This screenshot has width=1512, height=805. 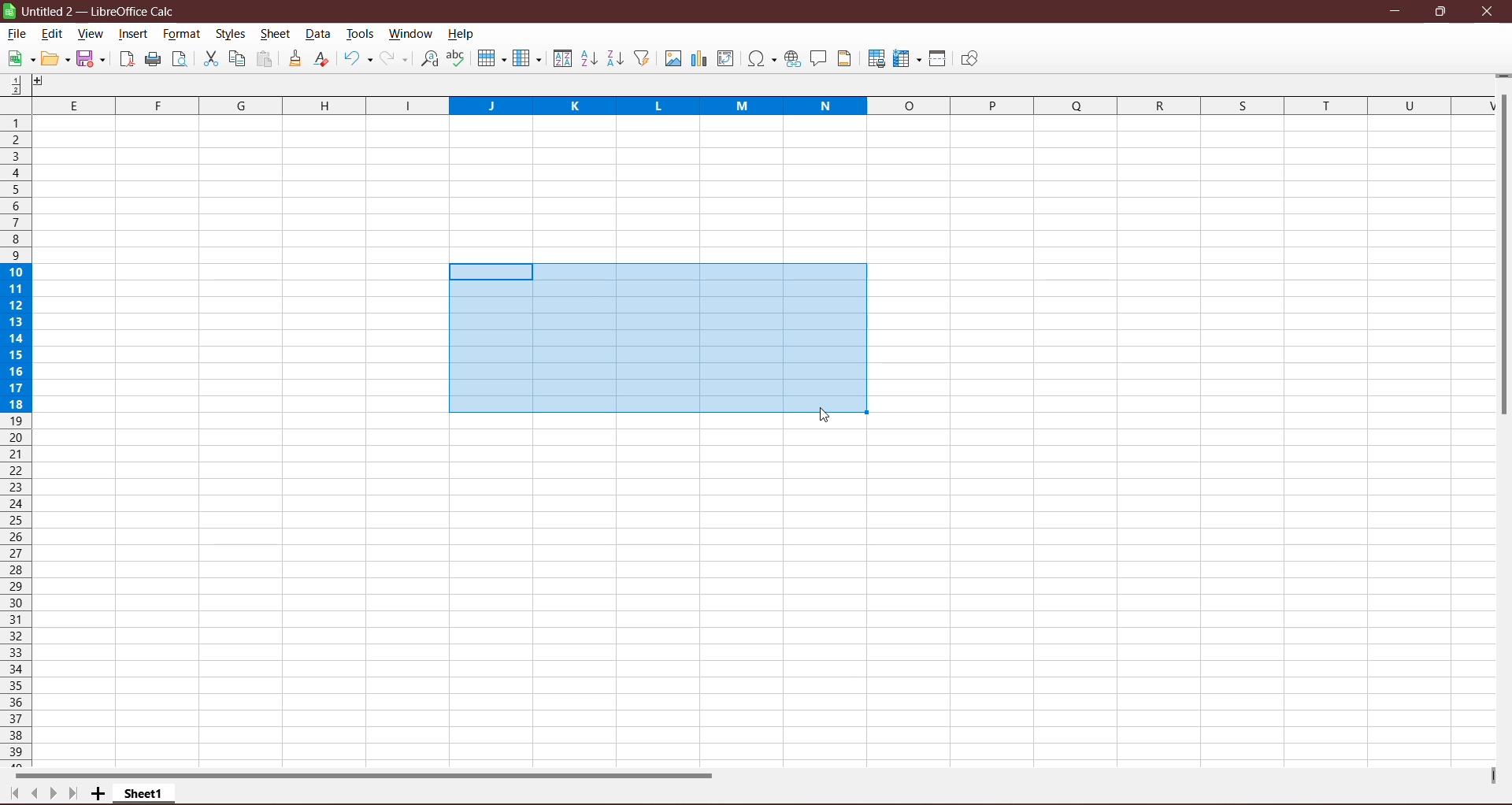 I want to click on Clone Formatting, so click(x=296, y=58).